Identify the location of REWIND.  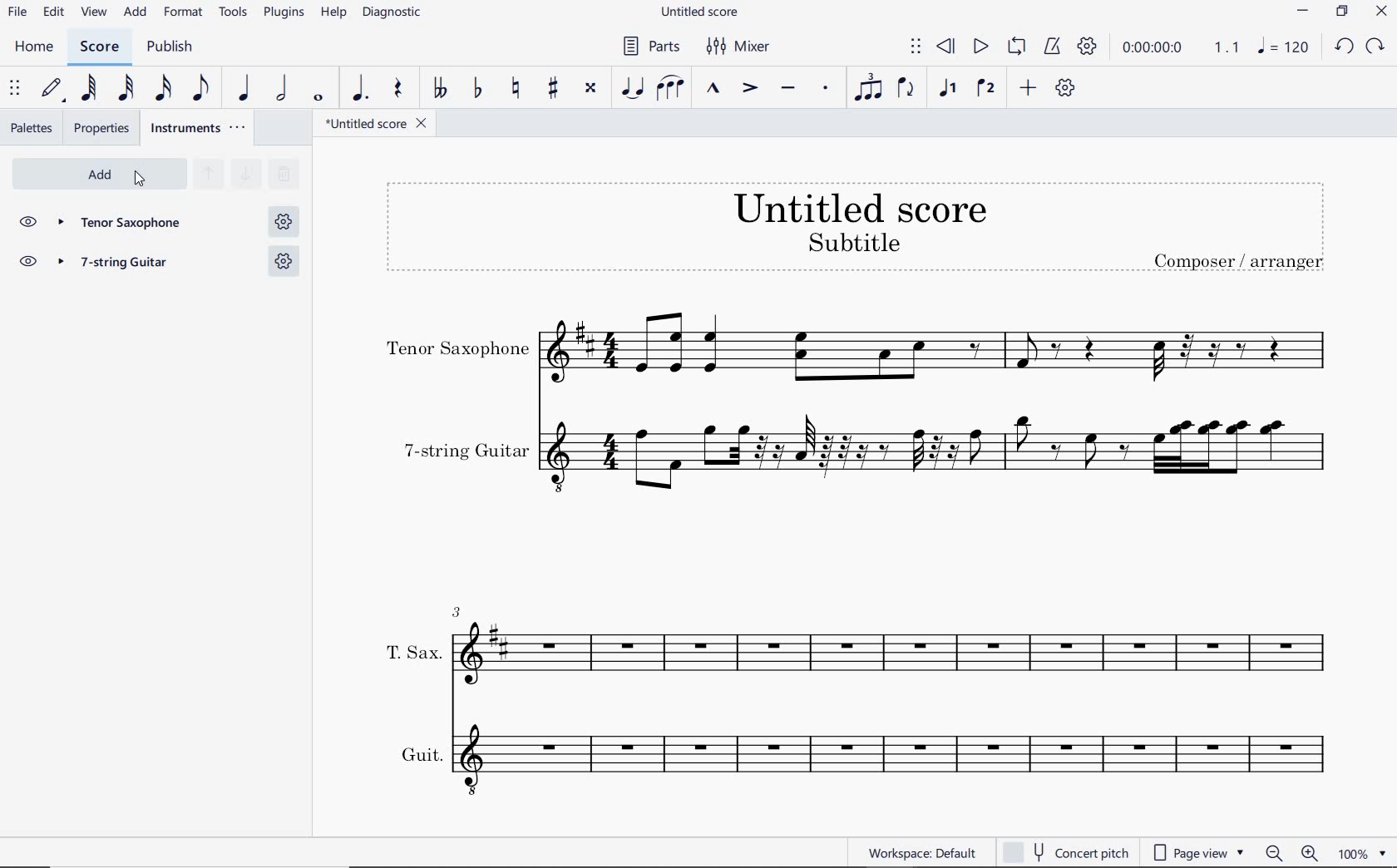
(946, 48).